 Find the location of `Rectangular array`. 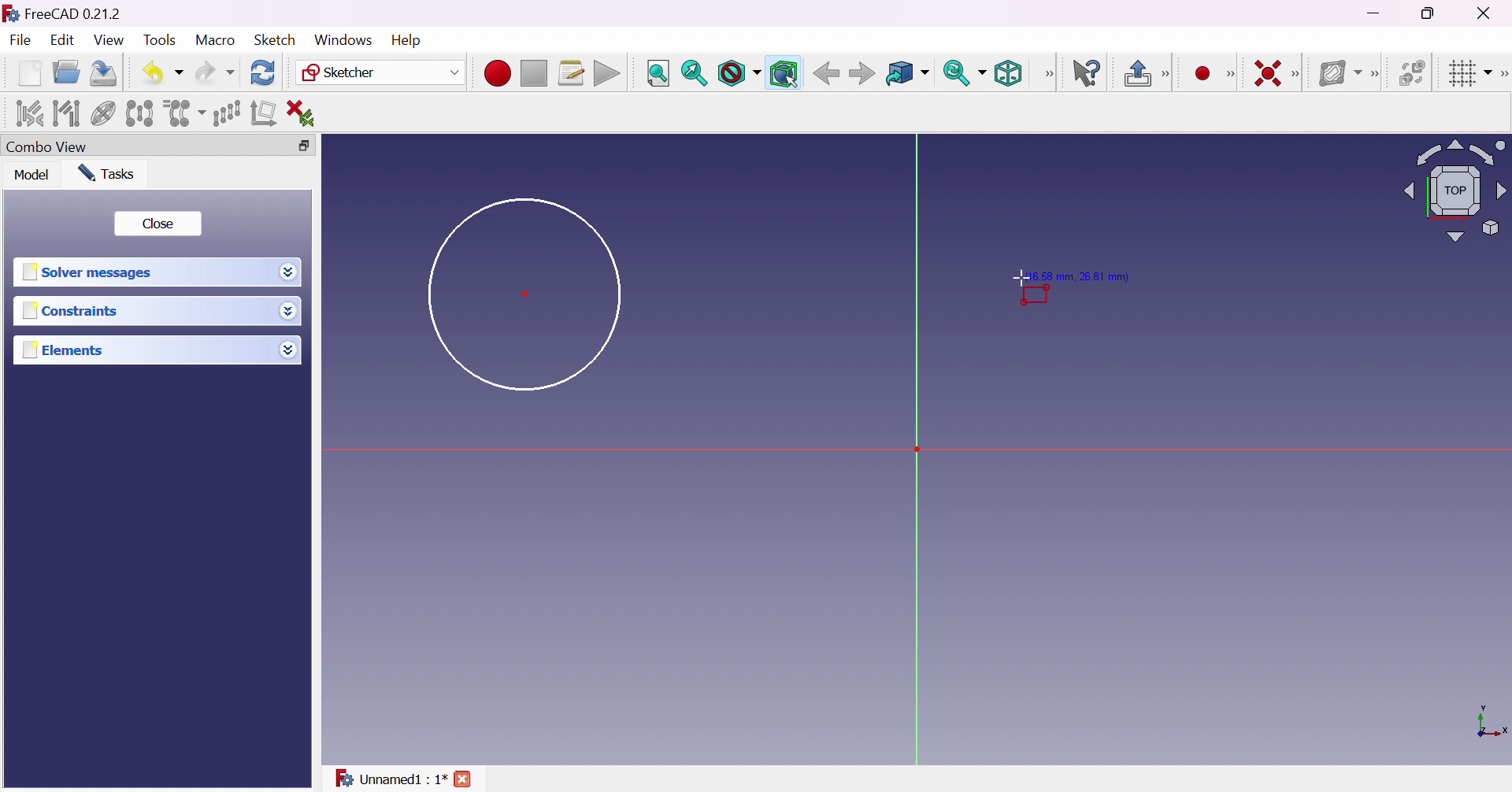

Rectangular array is located at coordinates (226, 112).